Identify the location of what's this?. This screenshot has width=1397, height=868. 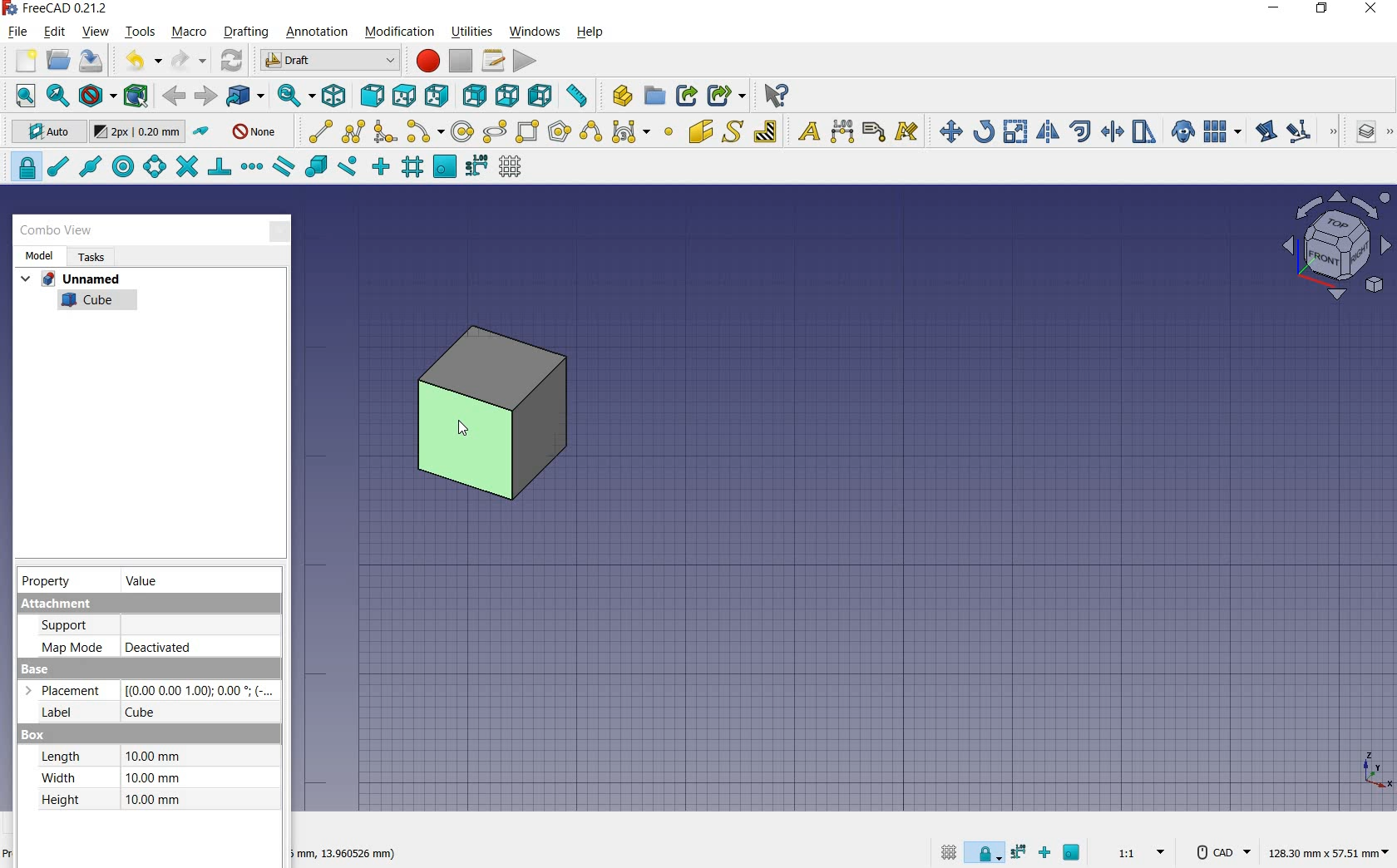
(774, 96).